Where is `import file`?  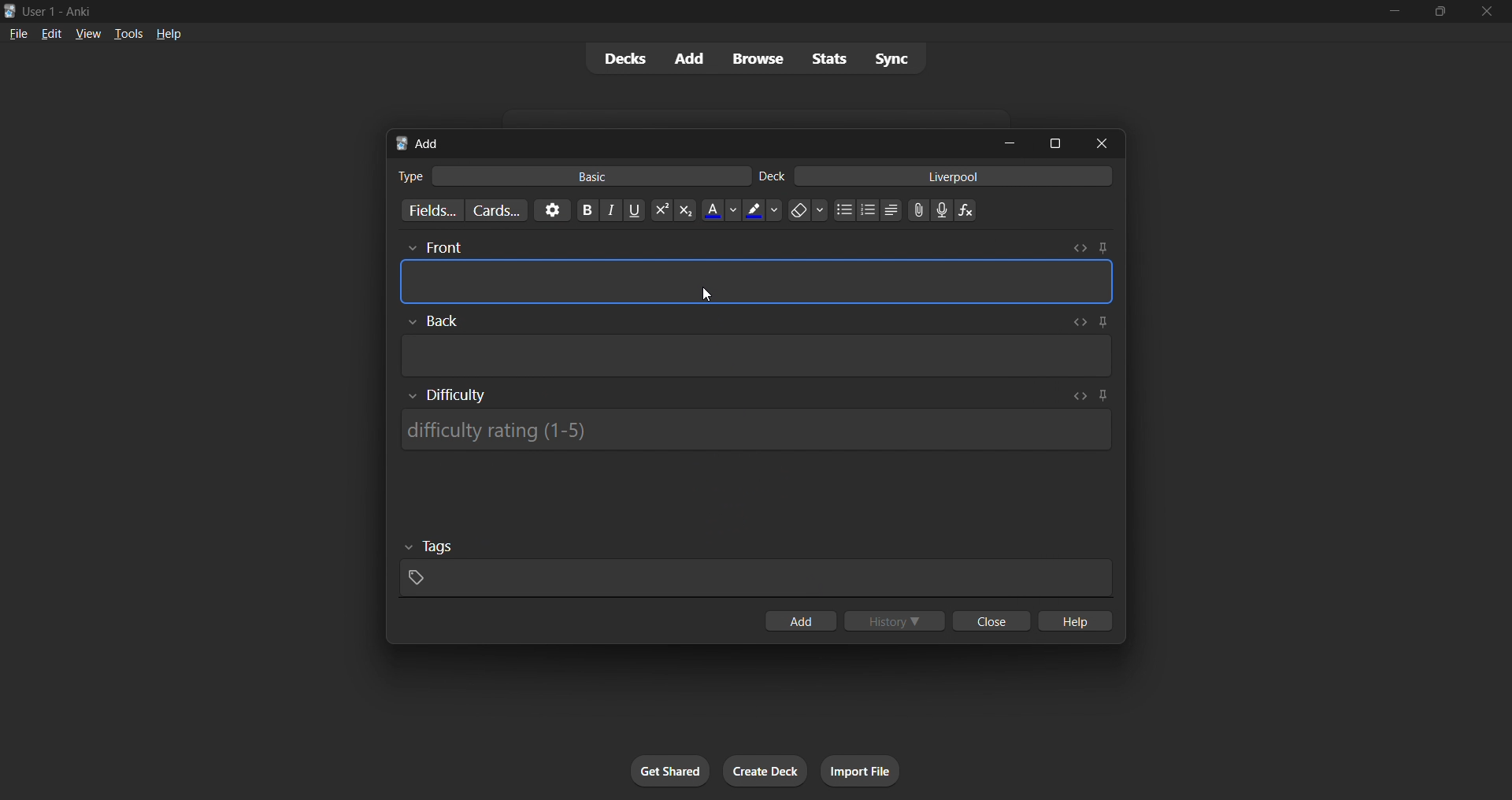 import file is located at coordinates (860, 771).